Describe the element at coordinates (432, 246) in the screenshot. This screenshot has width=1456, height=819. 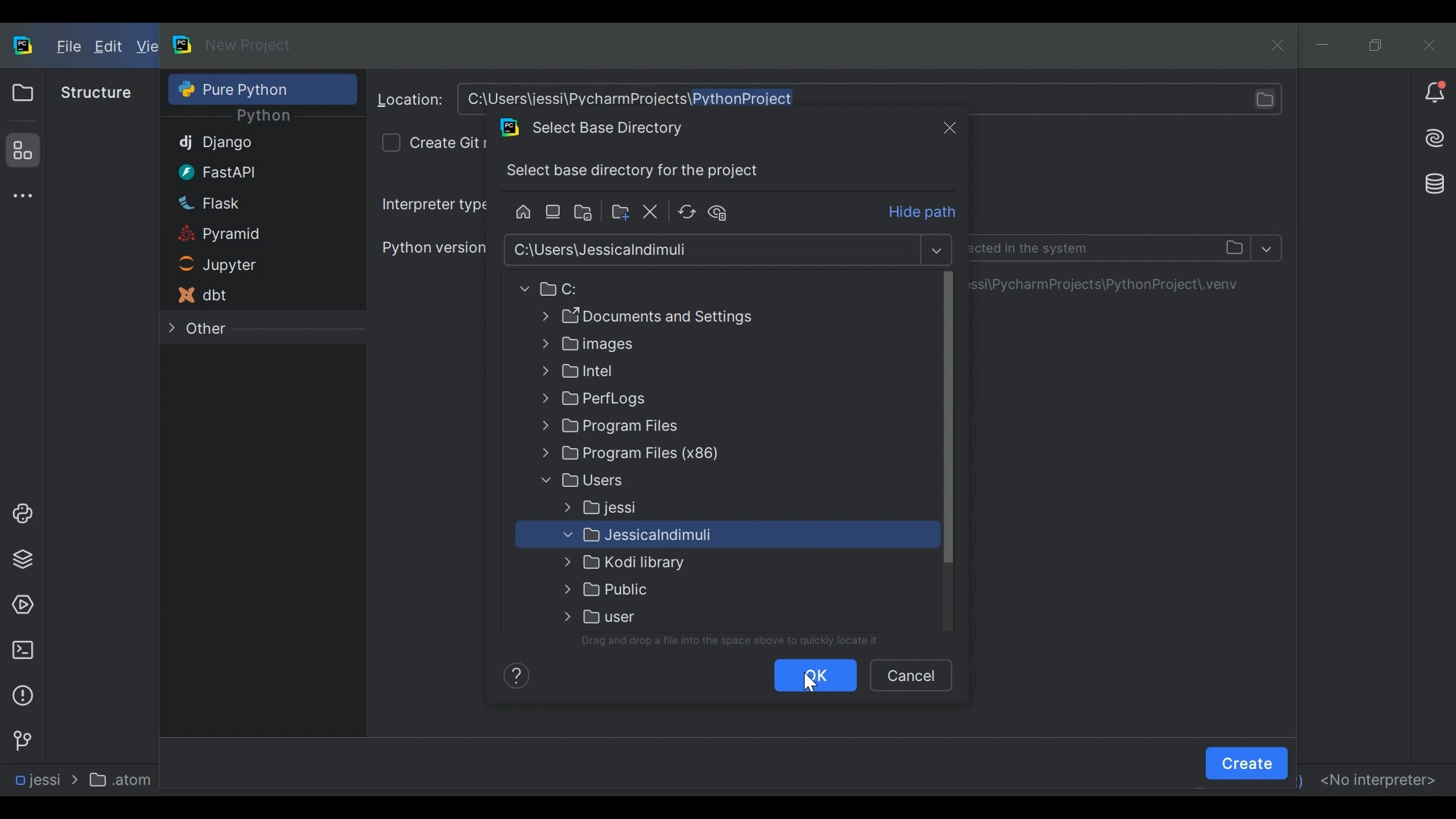
I see `Python version` at that location.